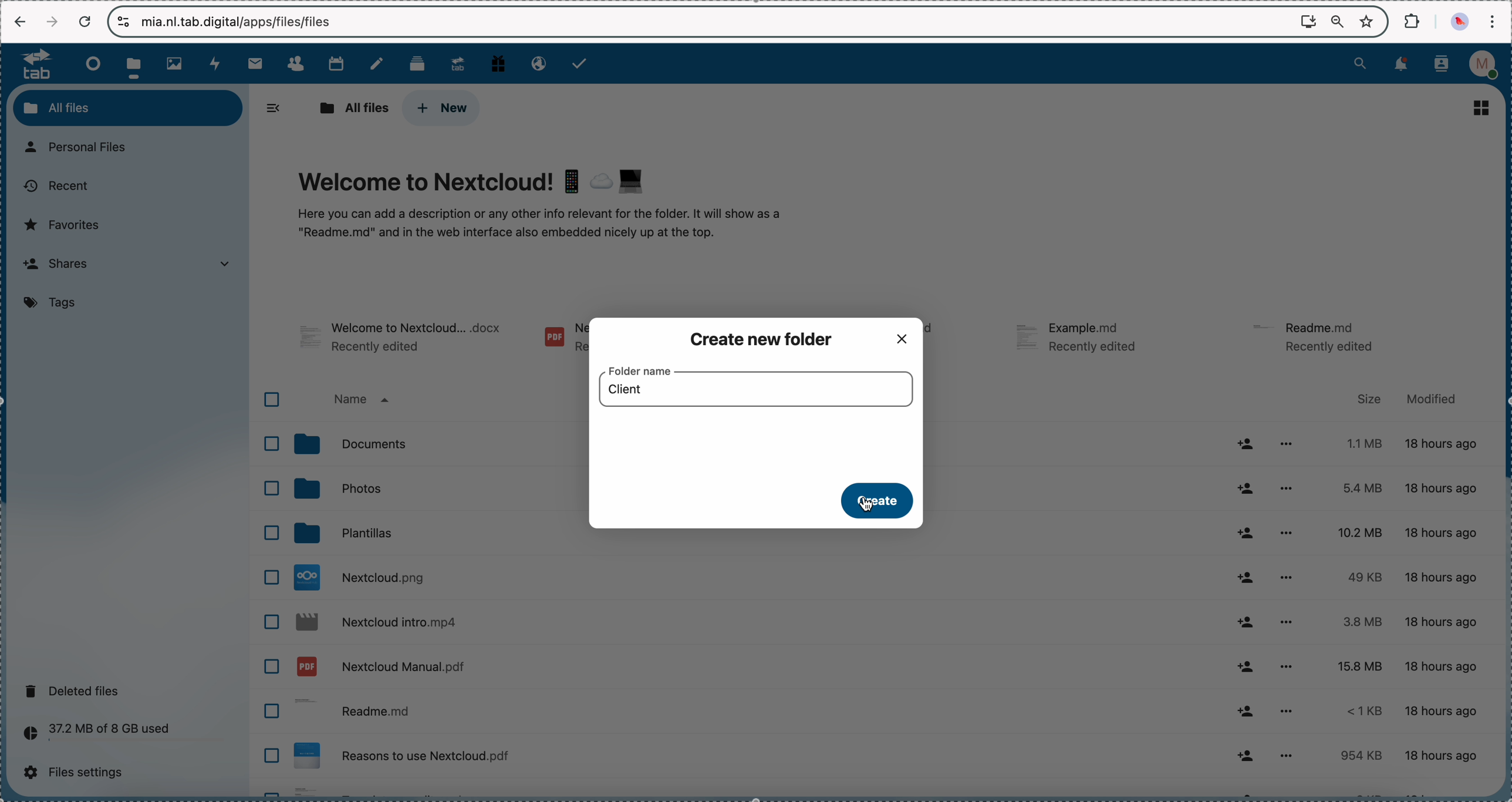 The height and width of the screenshot is (802, 1512). I want to click on click on files, so click(137, 63).